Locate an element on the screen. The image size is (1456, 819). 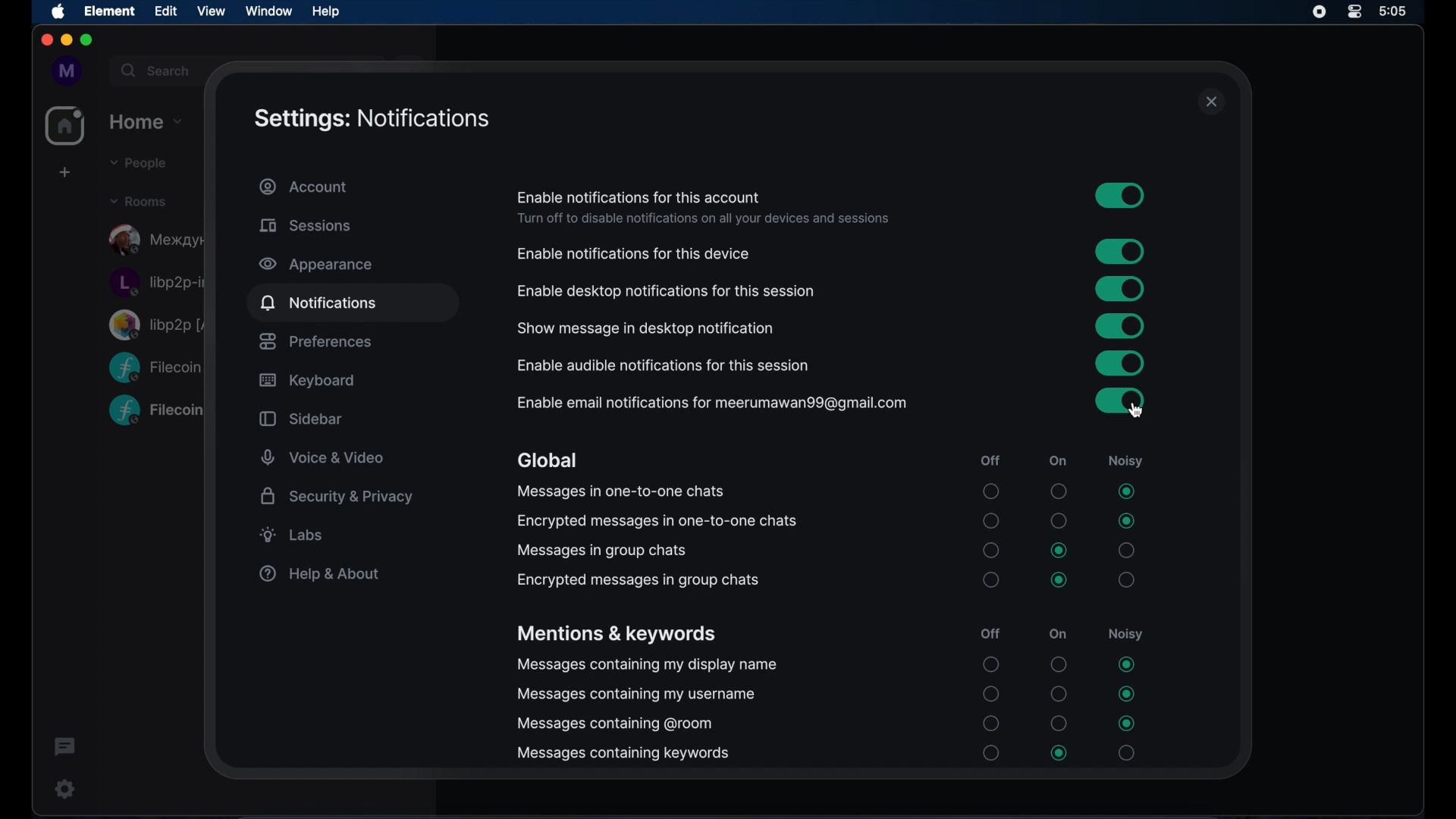
turn off  to disable notifications on all your devices  and sessions is located at coordinates (703, 219).